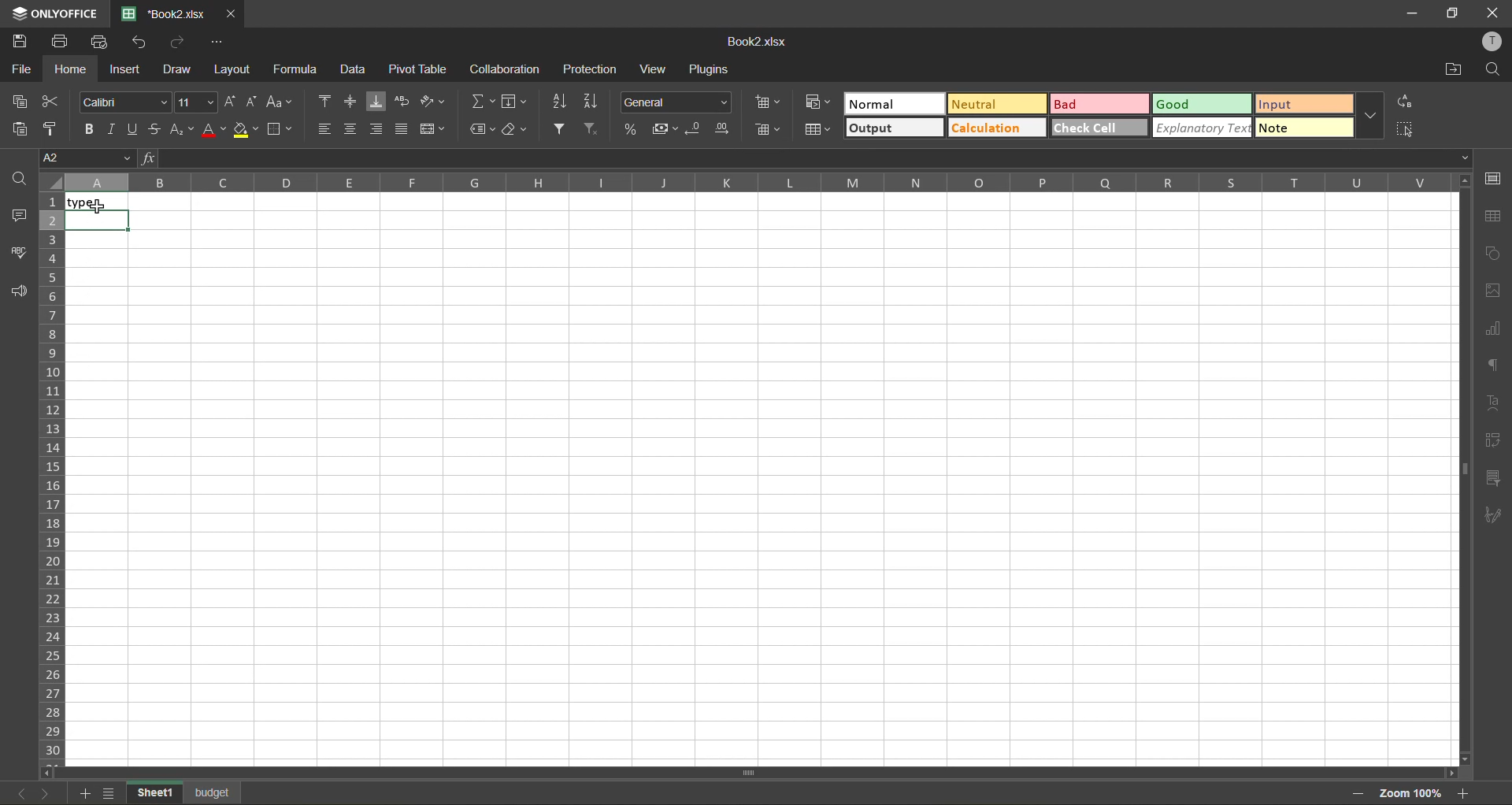 Image resolution: width=1512 pixels, height=805 pixels. Describe the element at coordinates (562, 129) in the screenshot. I see `filter` at that location.